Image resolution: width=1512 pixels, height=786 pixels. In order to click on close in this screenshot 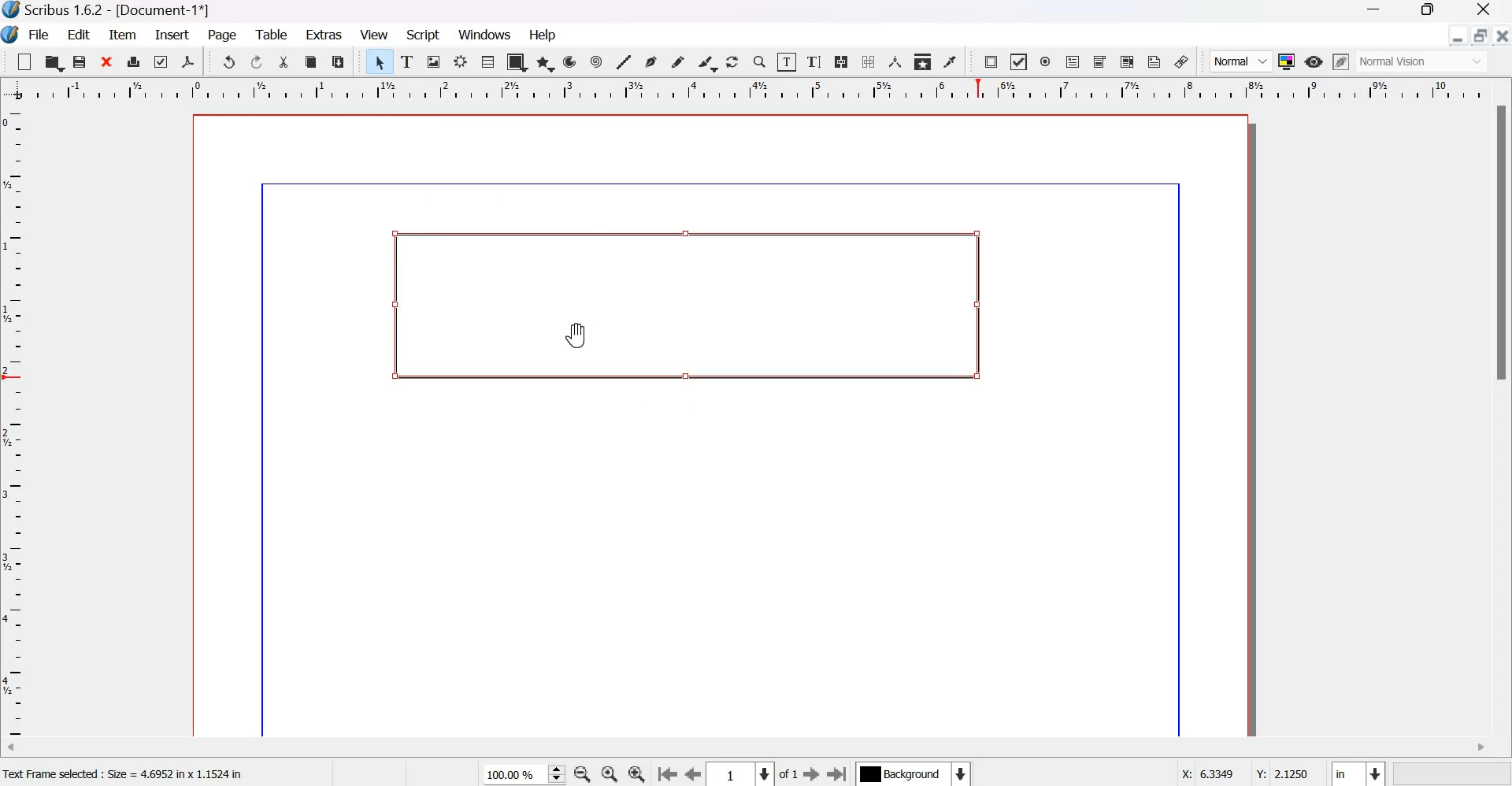, I will do `click(108, 61)`.